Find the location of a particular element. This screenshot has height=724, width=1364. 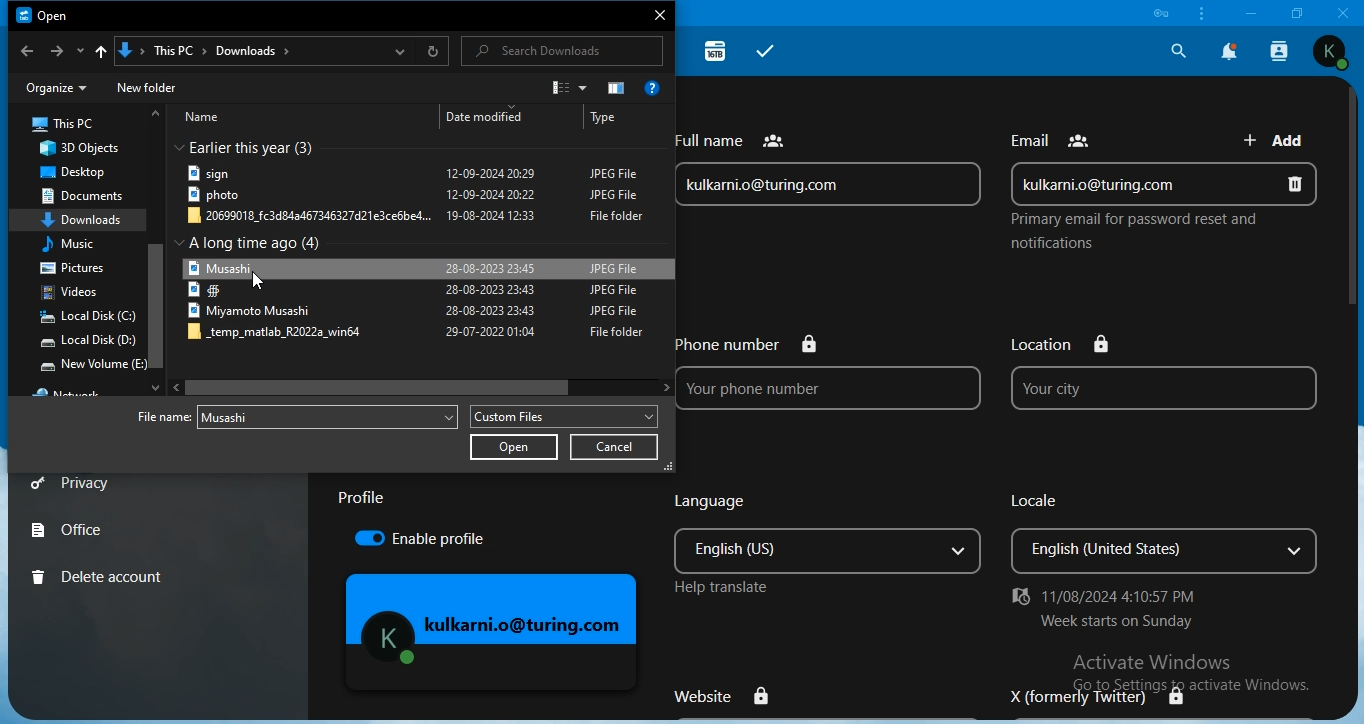

add is located at coordinates (1279, 138).